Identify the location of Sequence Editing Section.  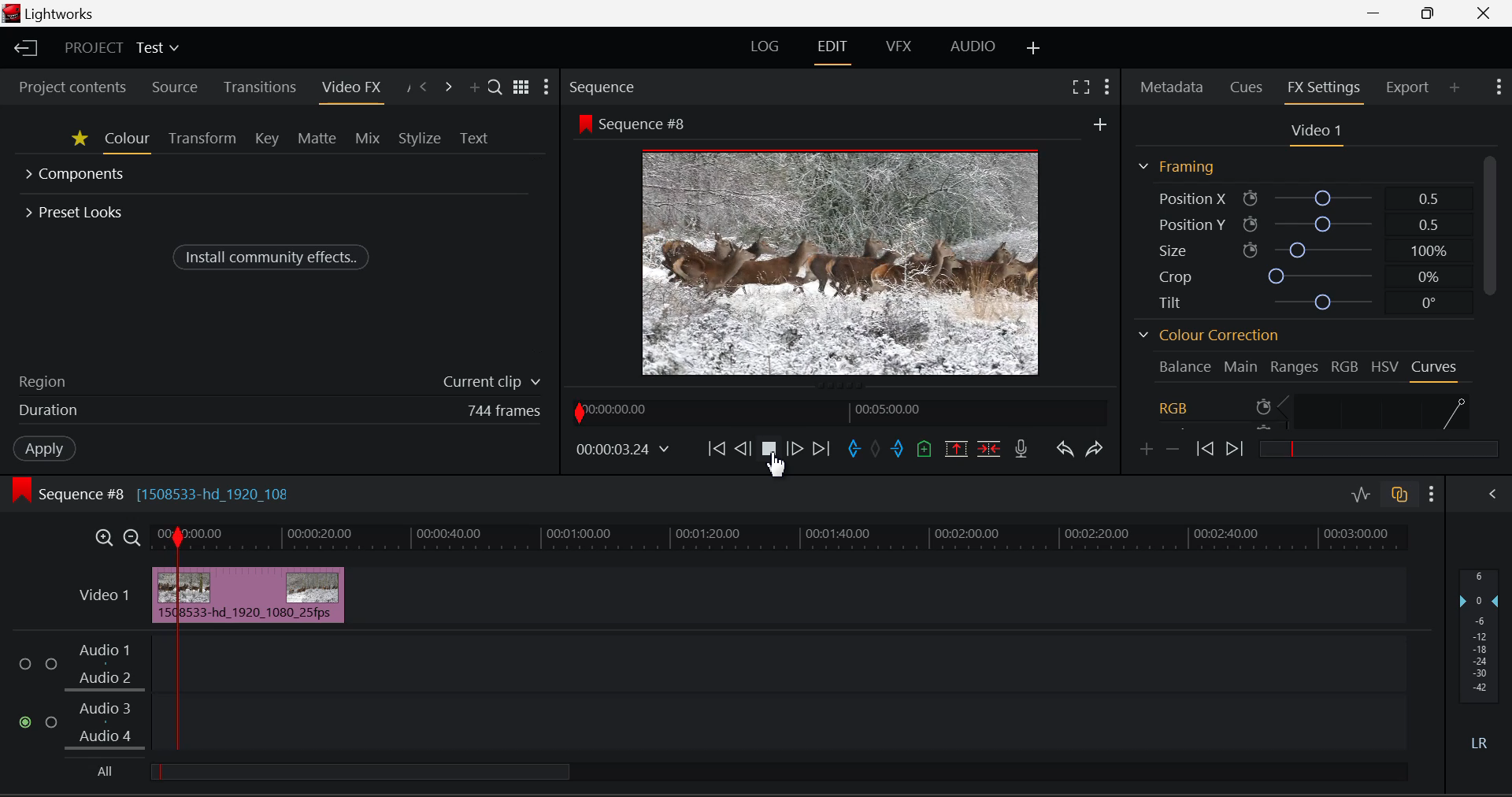
(154, 494).